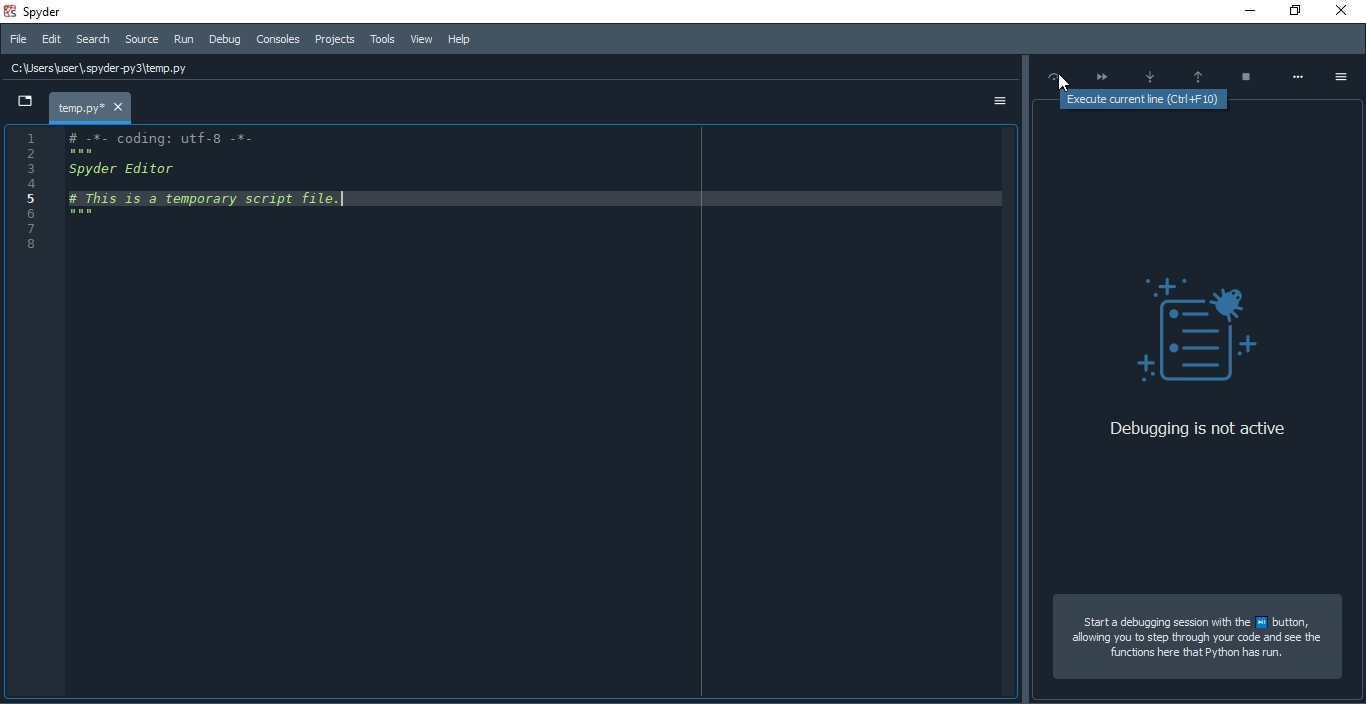  Describe the element at coordinates (91, 40) in the screenshot. I see `Search` at that location.